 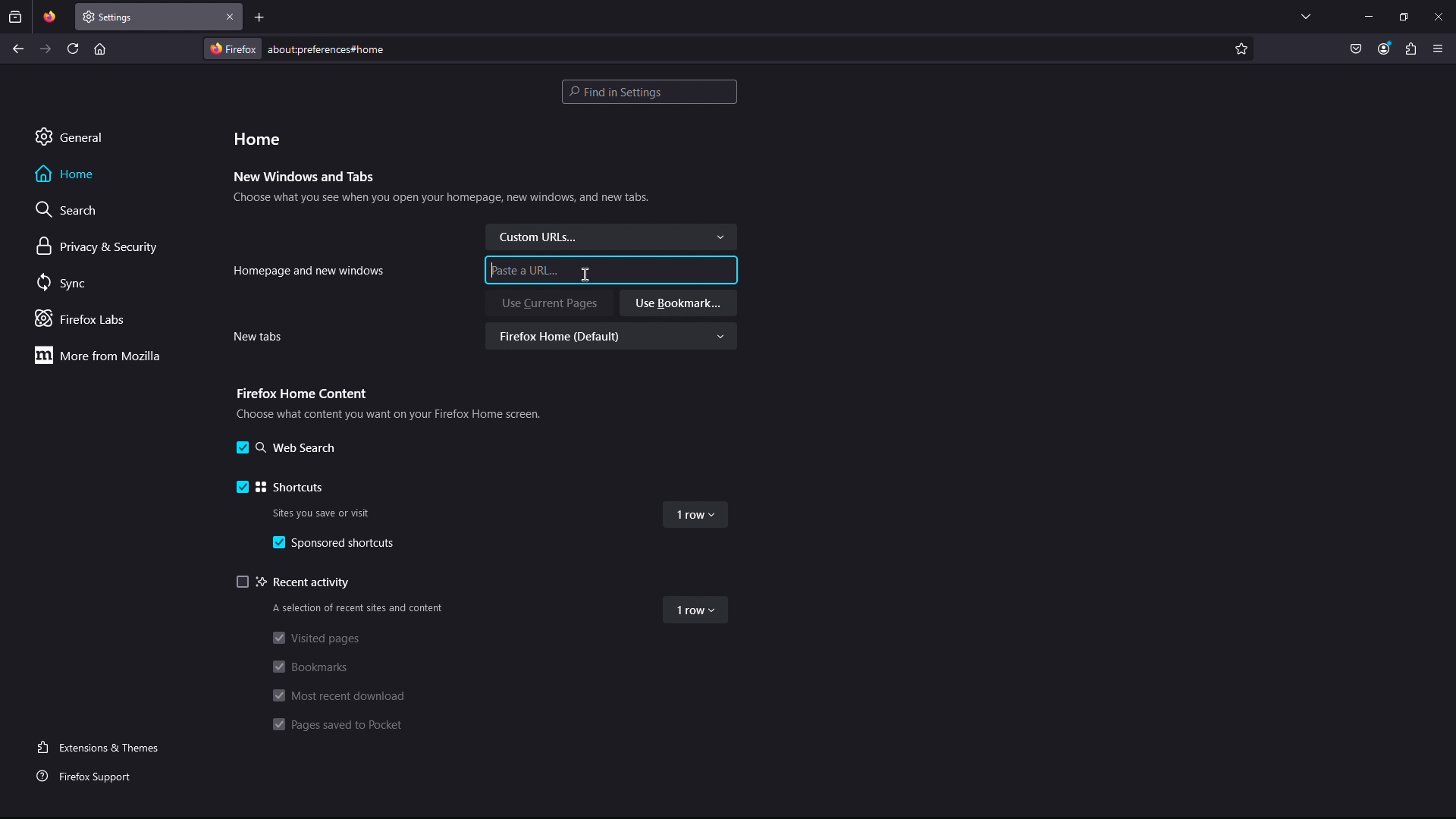 What do you see at coordinates (716, 48) in the screenshot?
I see `Address Bar` at bounding box center [716, 48].